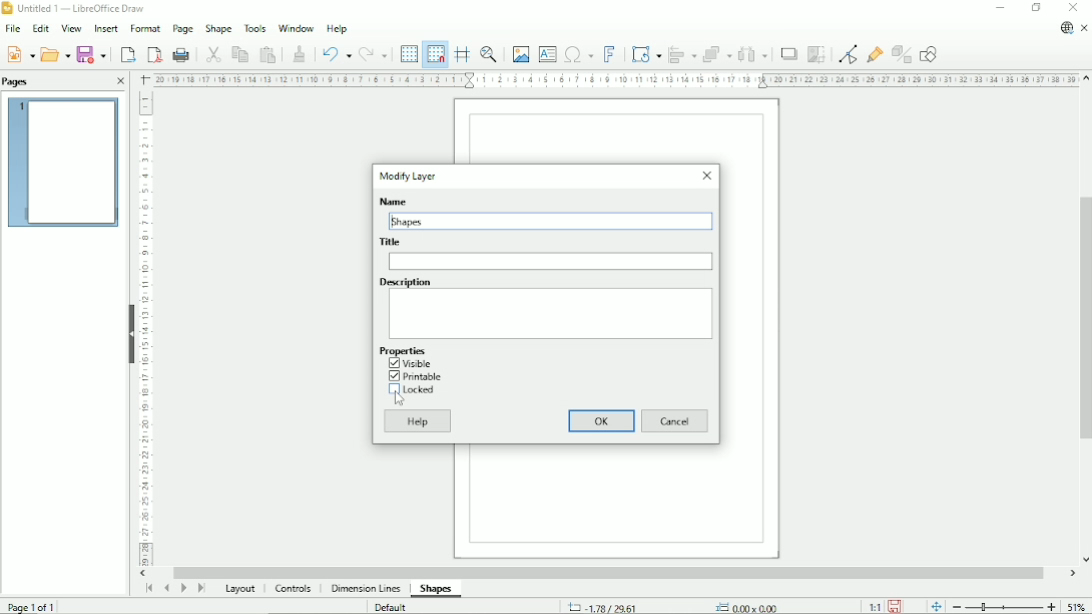 The image size is (1092, 614). What do you see at coordinates (745, 606) in the screenshot?
I see `0.00x0.00` at bounding box center [745, 606].